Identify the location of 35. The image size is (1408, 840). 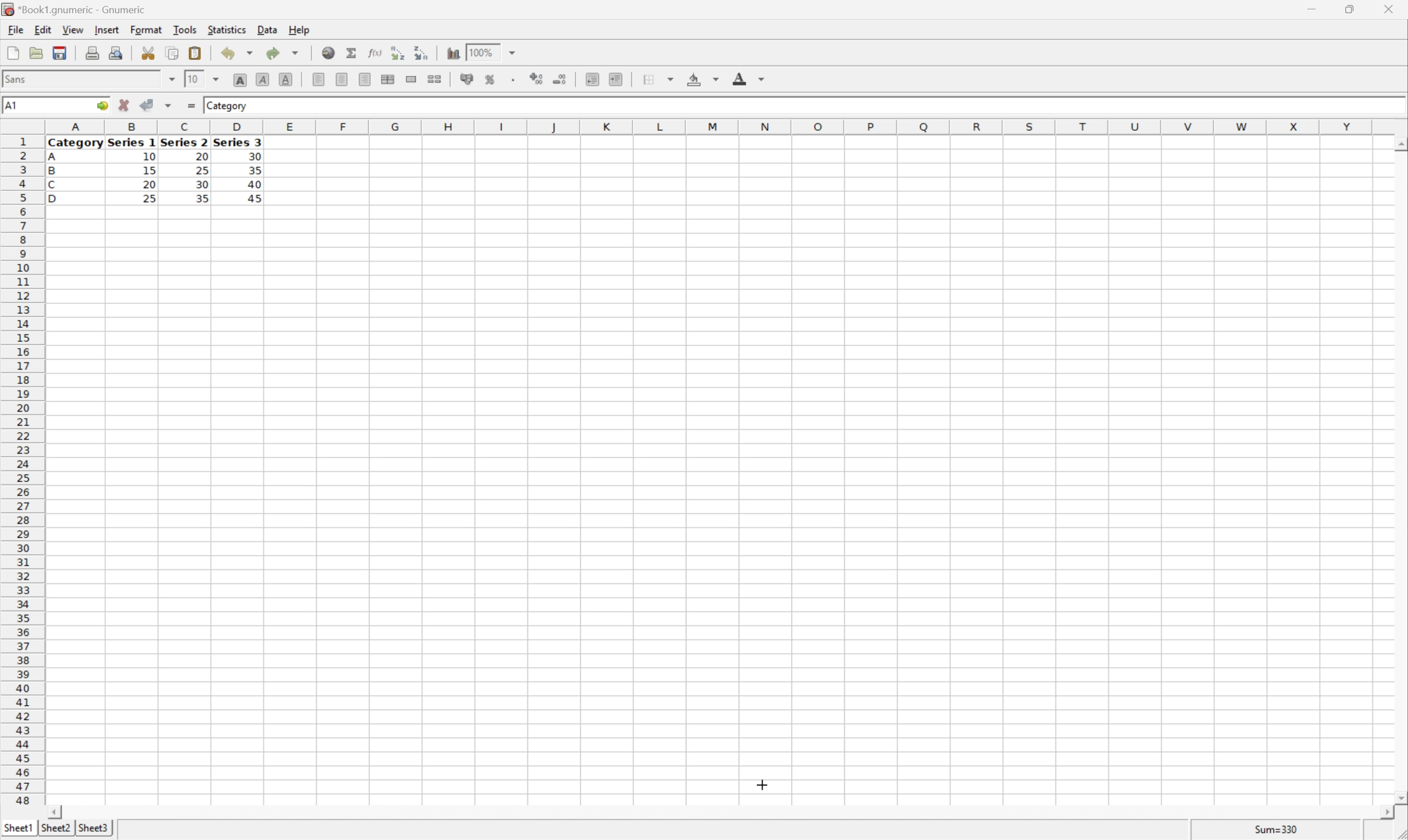
(255, 170).